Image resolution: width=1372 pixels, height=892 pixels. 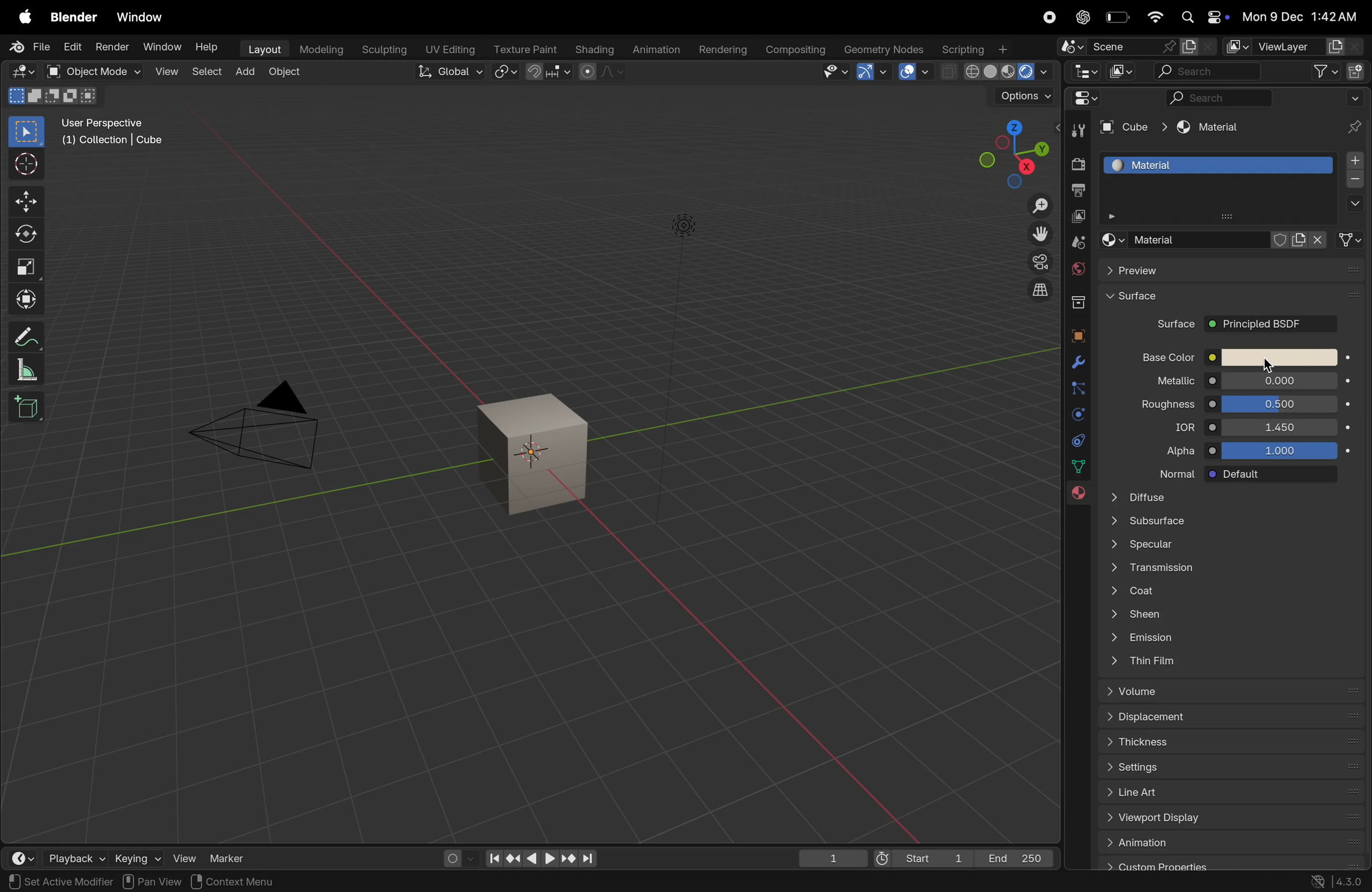 I want to click on data, so click(x=1080, y=466).